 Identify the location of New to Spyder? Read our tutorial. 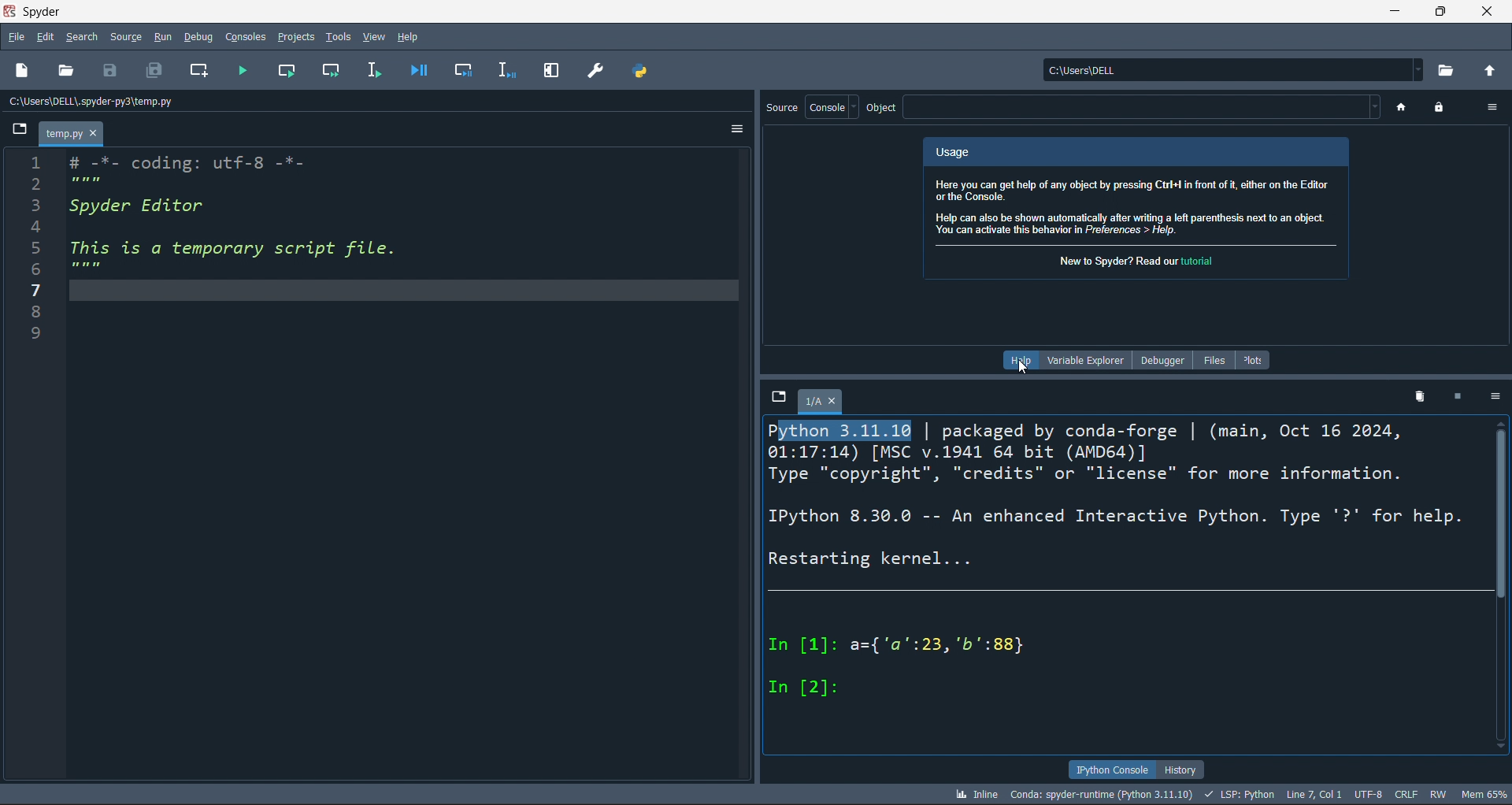
(1139, 261).